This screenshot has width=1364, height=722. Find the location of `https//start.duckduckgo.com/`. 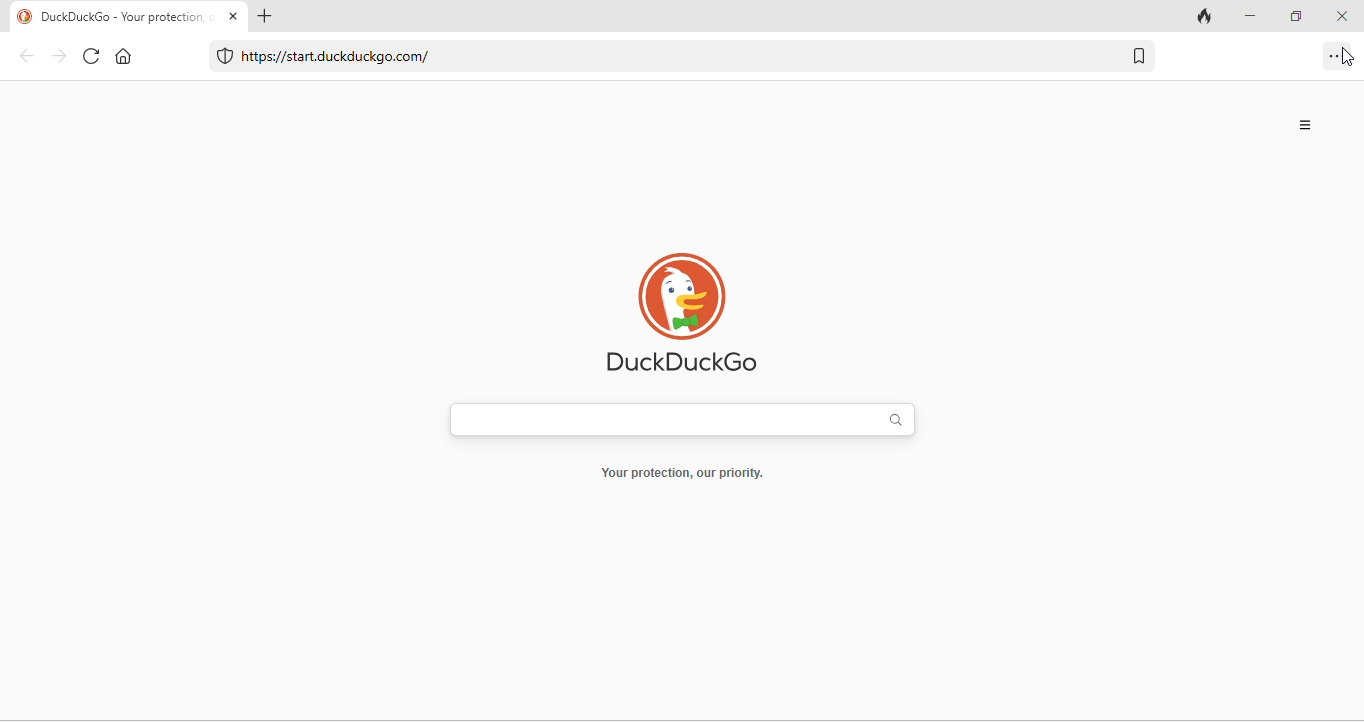

https//start.duckduckgo.com/ is located at coordinates (346, 56).